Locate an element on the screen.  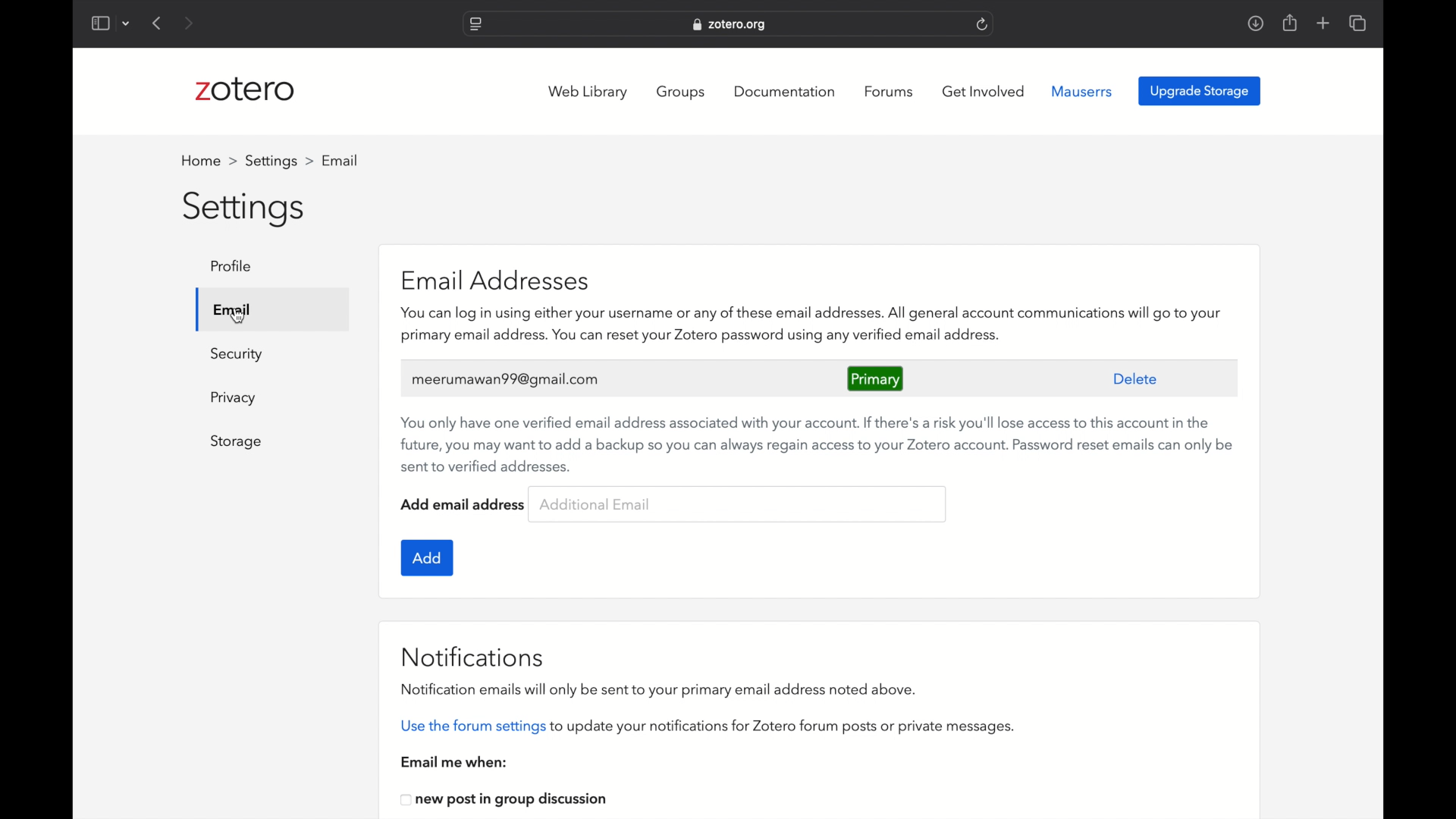
notification emails will only sent to your primary email address noted above is located at coordinates (660, 691).